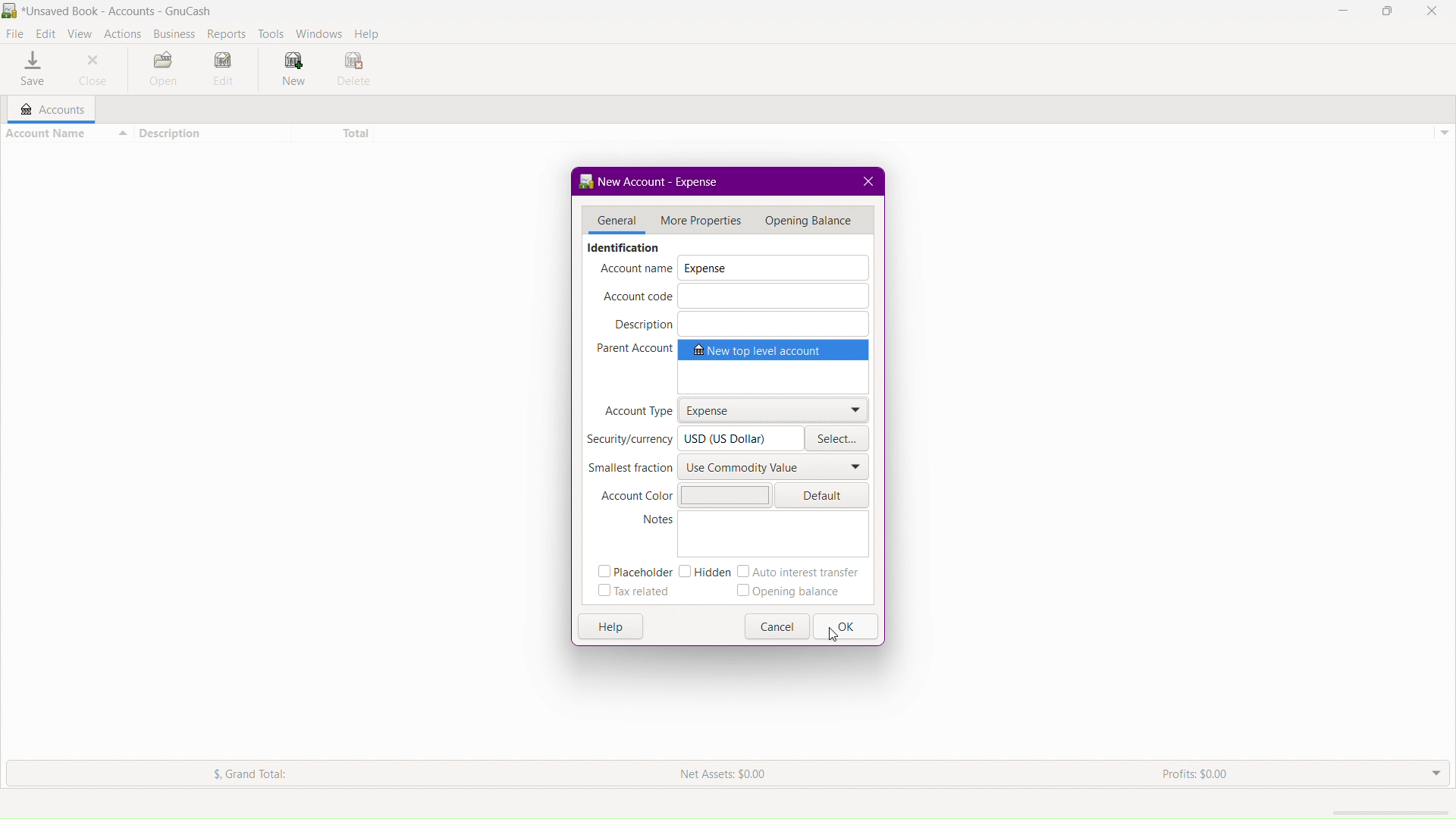  I want to click on Account Color, so click(685, 494).